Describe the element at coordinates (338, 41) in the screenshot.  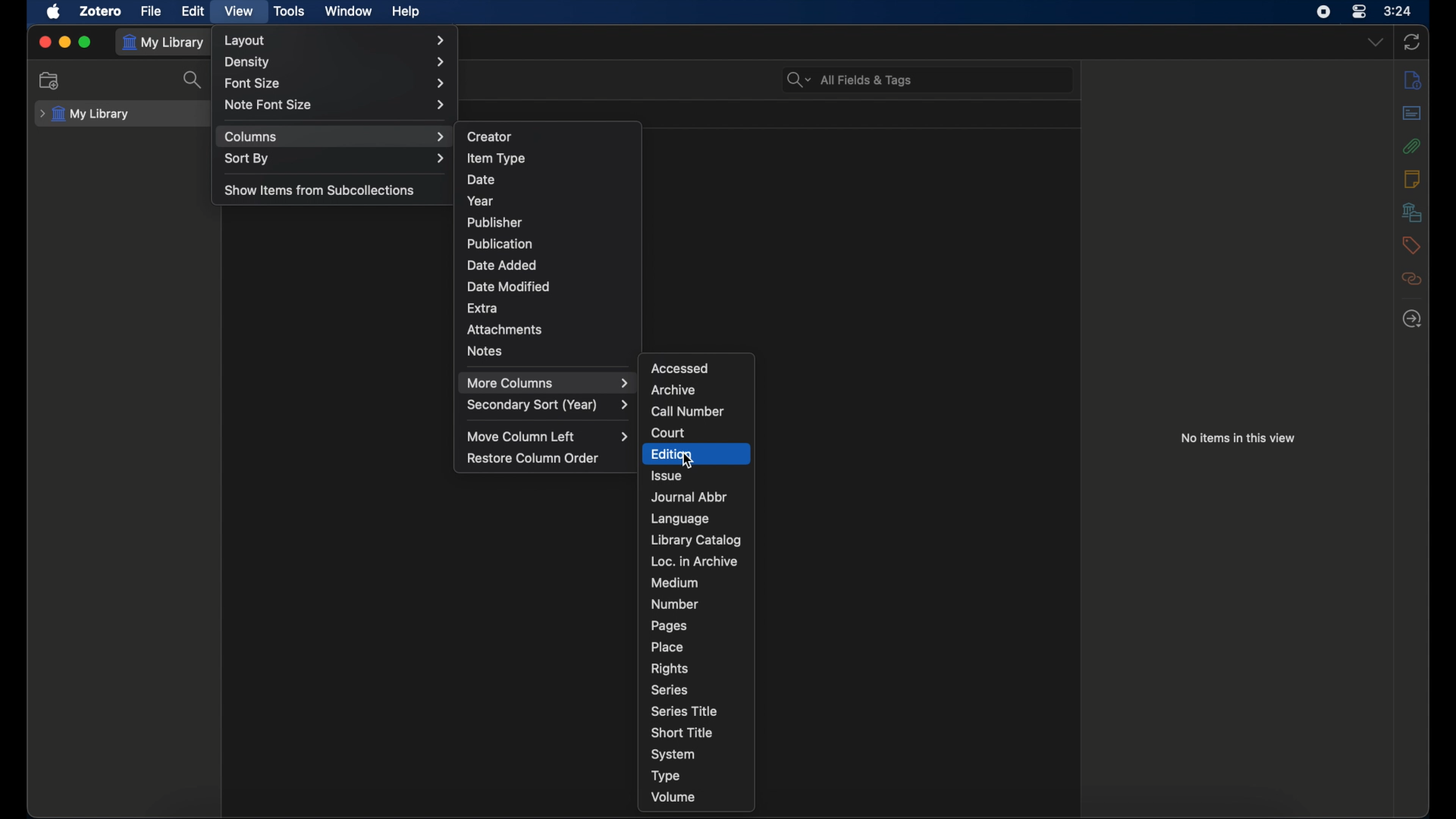
I see `layout` at that location.